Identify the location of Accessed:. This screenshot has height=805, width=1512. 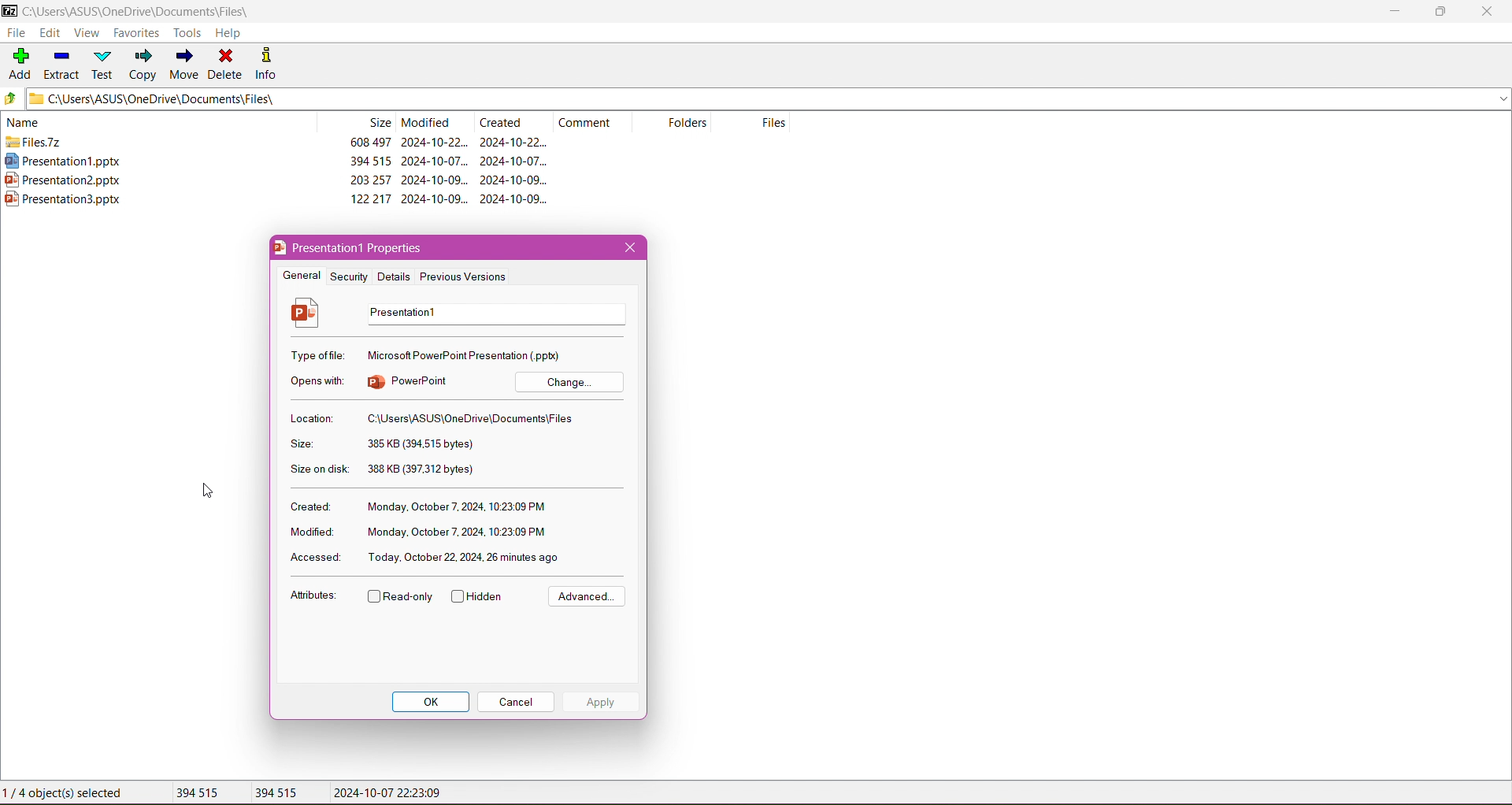
(316, 560).